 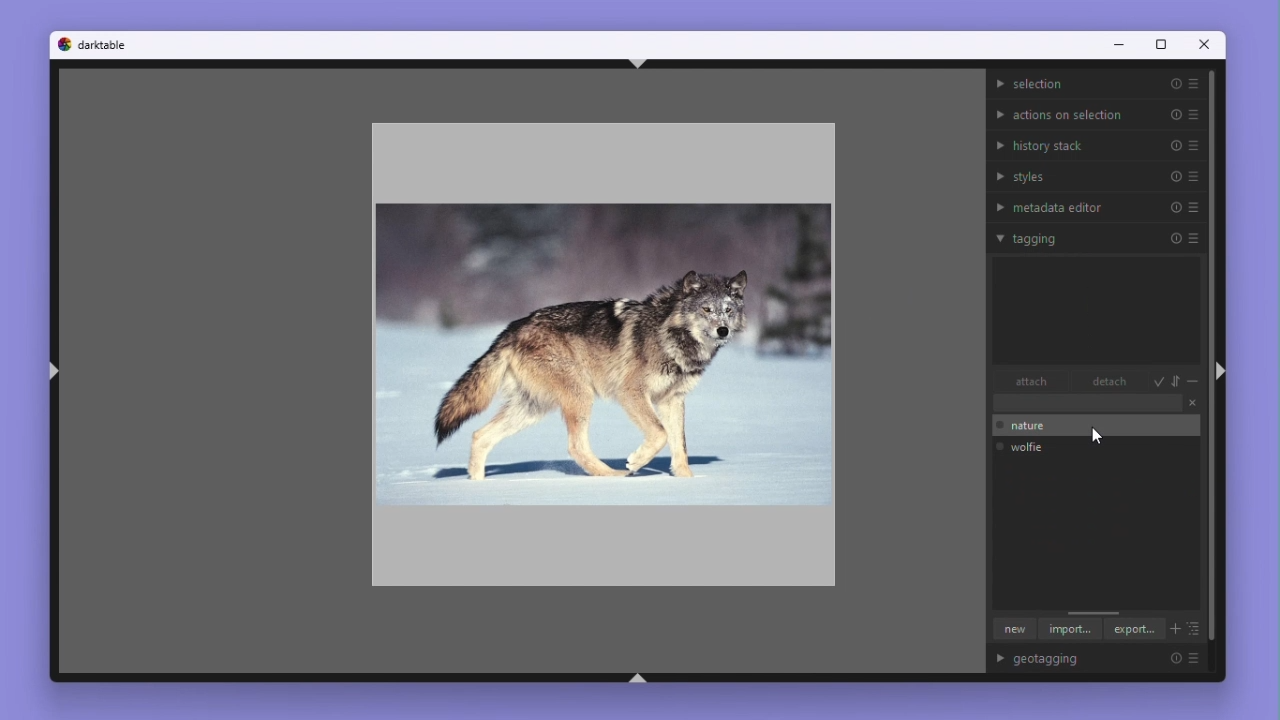 I want to click on Maximize, so click(x=1159, y=46).